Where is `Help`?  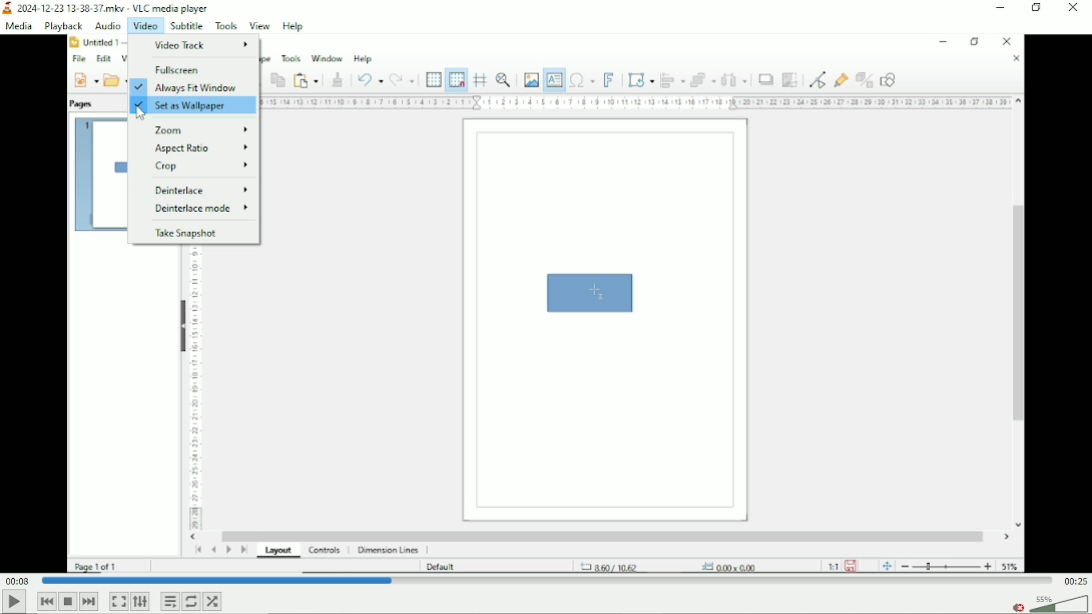
Help is located at coordinates (295, 26).